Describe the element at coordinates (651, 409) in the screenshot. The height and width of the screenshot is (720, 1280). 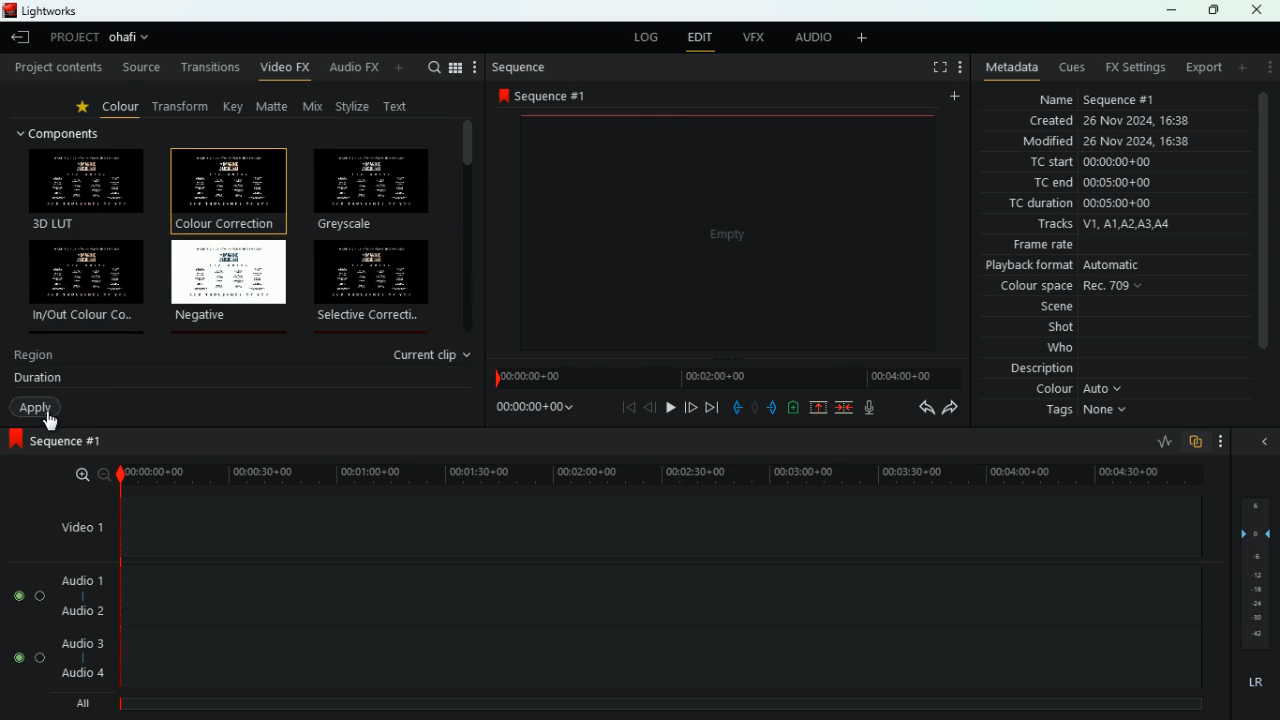
I see `backward` at that location.